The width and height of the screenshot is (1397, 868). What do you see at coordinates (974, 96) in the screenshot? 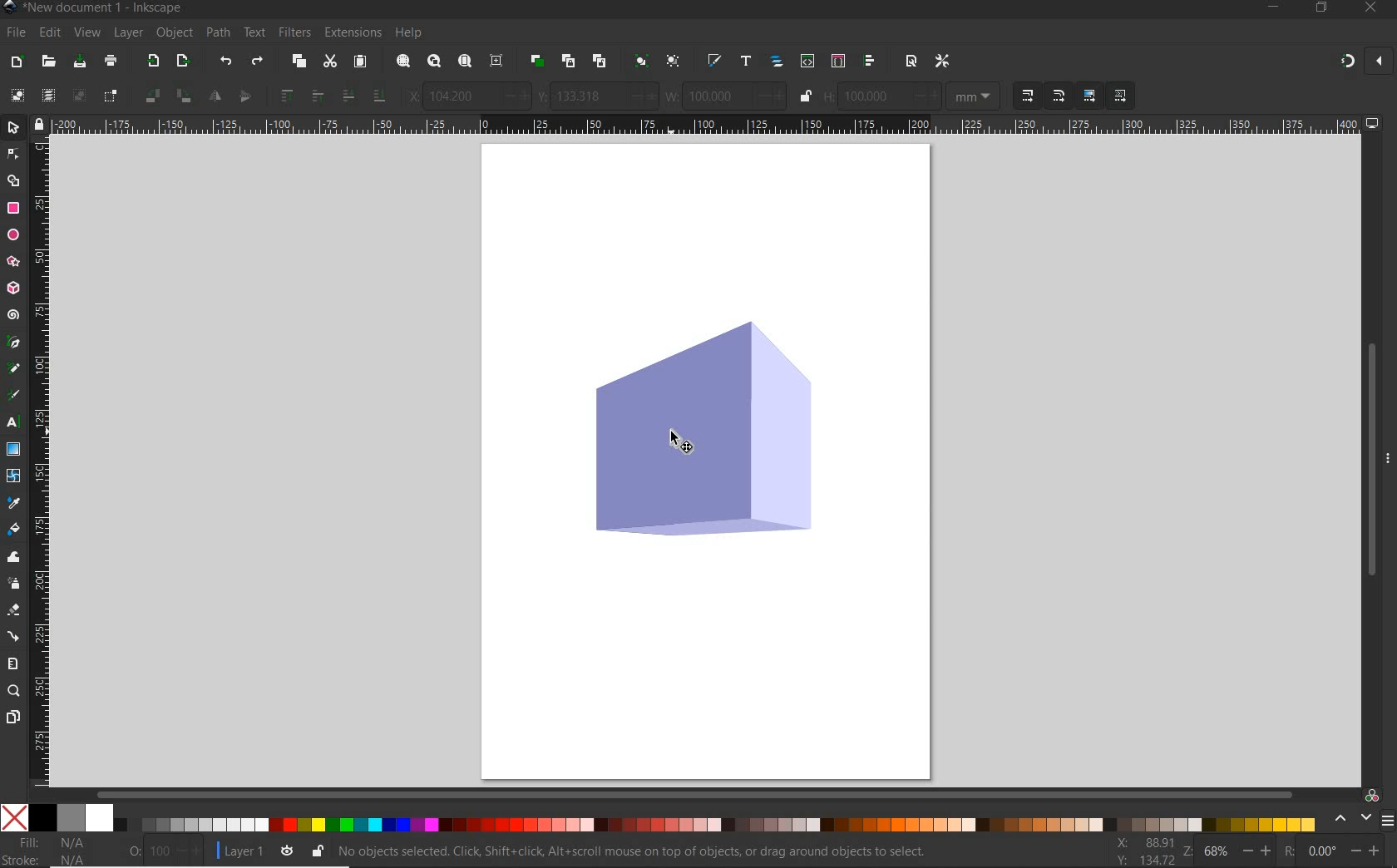
I see `MEASUREMENTS` at bounding box center [974, 96].